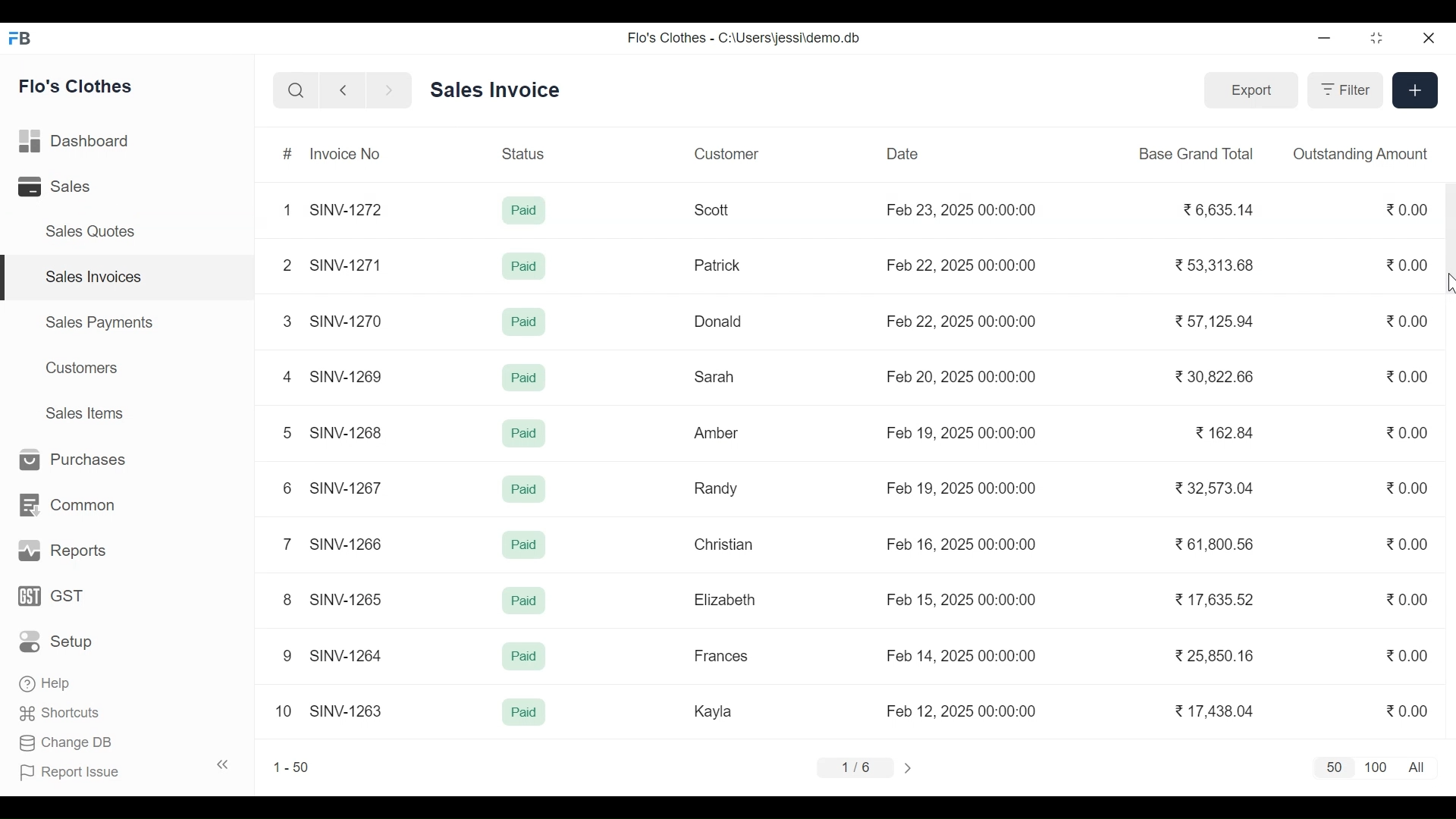 This screenshot has height=819, width=1456. What do you see at coordinates (347, 376) in the screenshot?
I see `SINV-1269` at bounding box center [347, 376].